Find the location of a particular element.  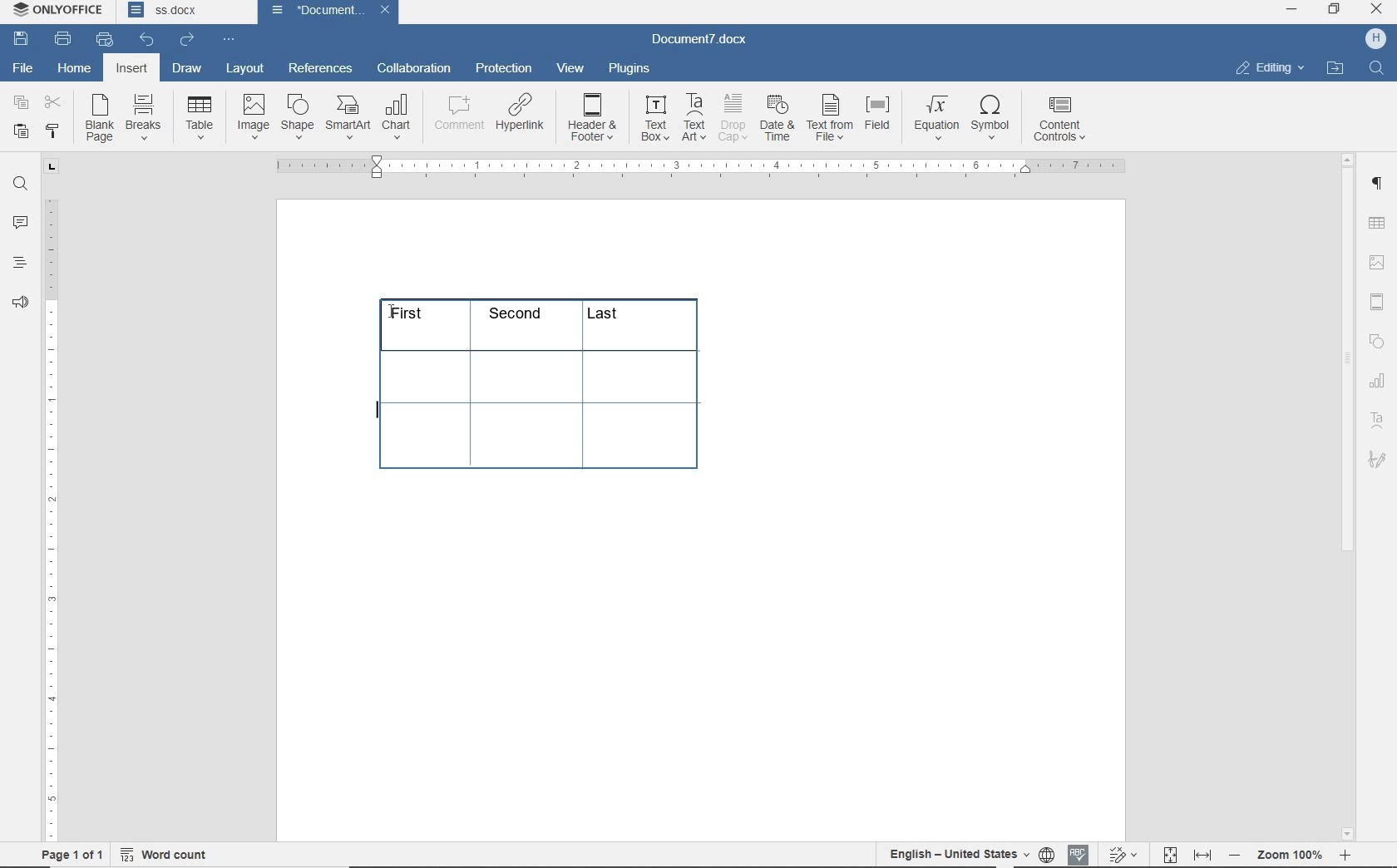

text from file is located at coordinates (830, 116).